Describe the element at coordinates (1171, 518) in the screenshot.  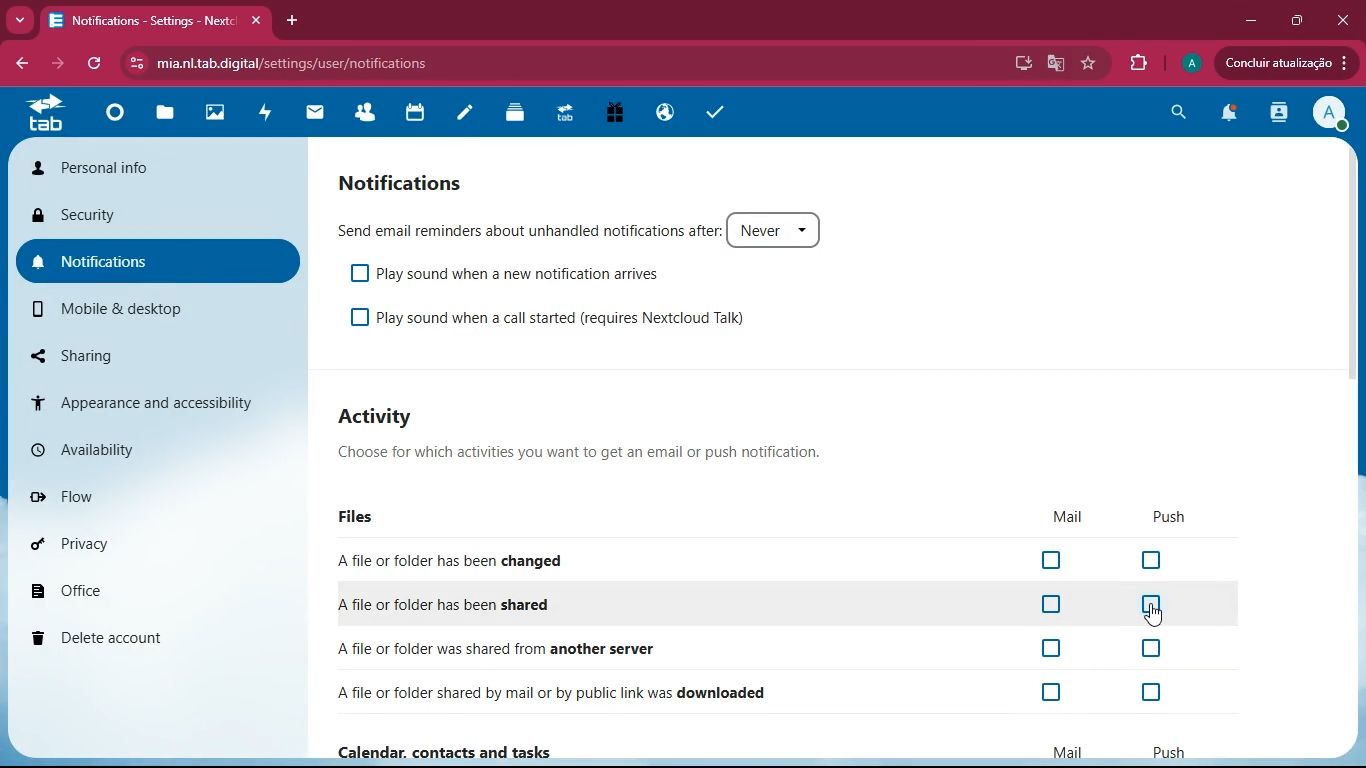
I see `push` at that location.